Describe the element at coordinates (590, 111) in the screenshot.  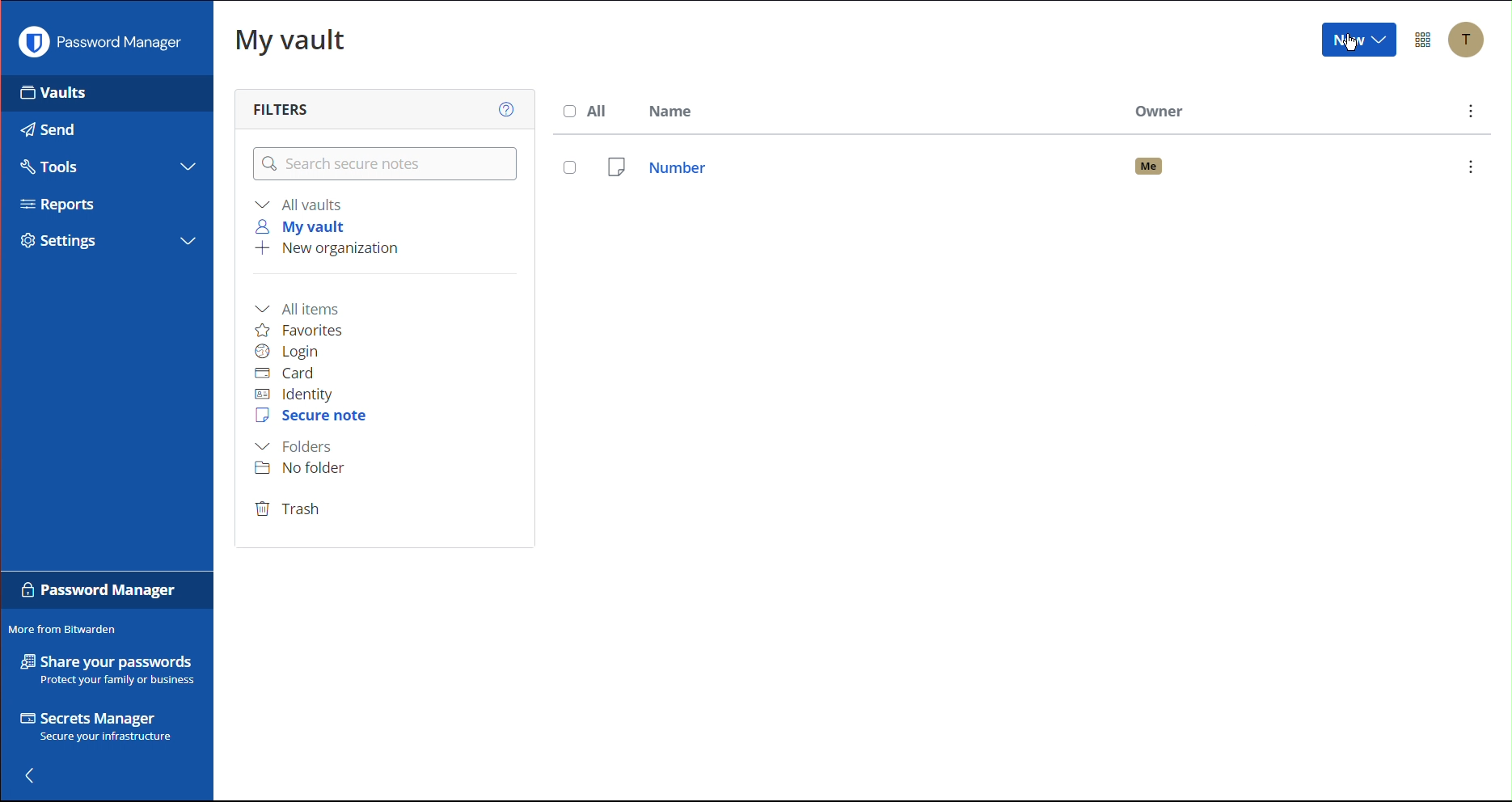
I see `All ` at that location.